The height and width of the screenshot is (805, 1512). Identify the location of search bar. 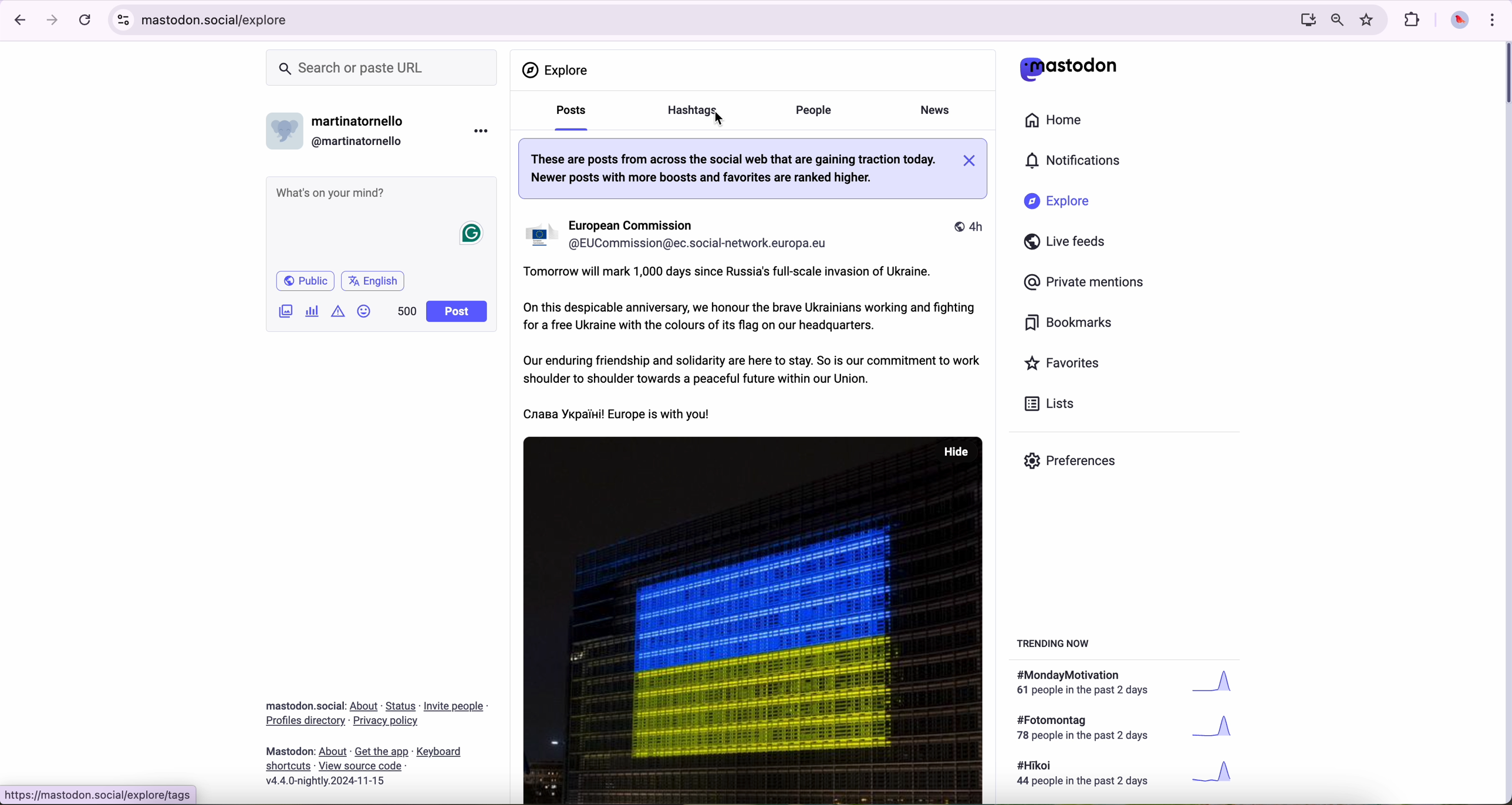
(384, 68).